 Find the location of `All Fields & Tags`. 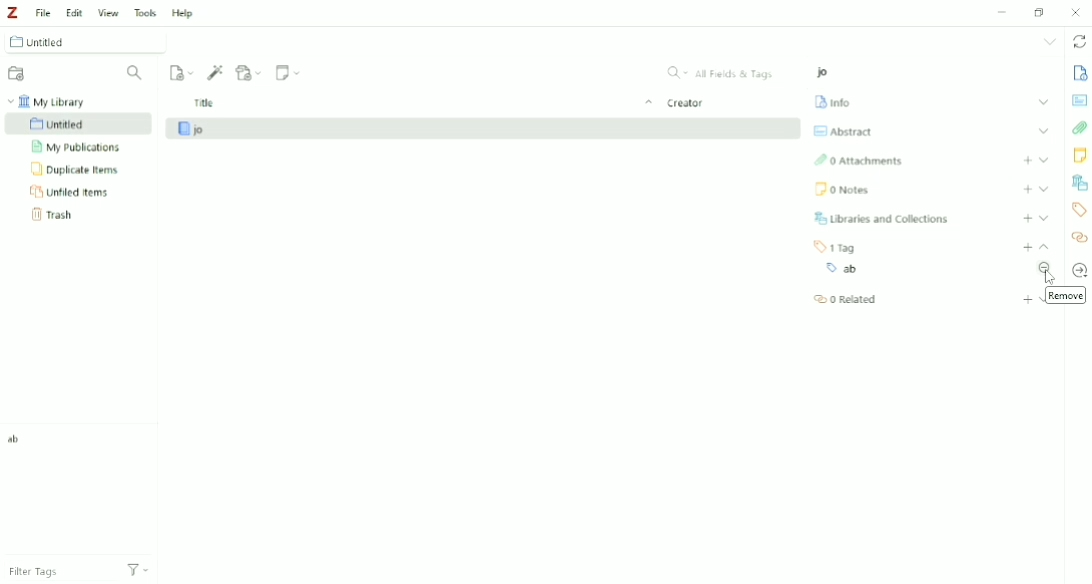

All Fields & Tags is located at coordinates (720, 73).